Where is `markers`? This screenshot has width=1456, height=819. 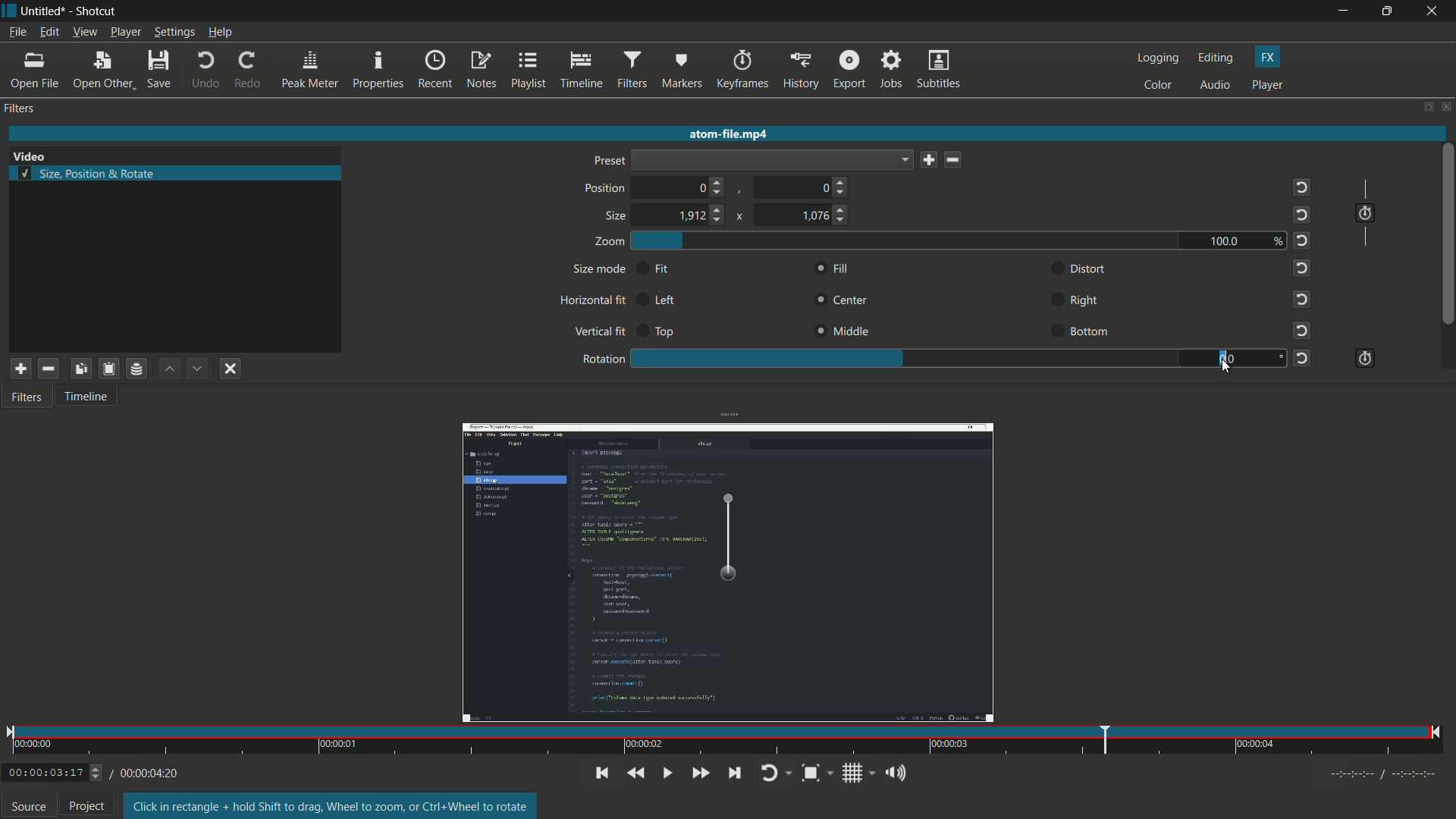
markers is located at coordinates (679, 72).